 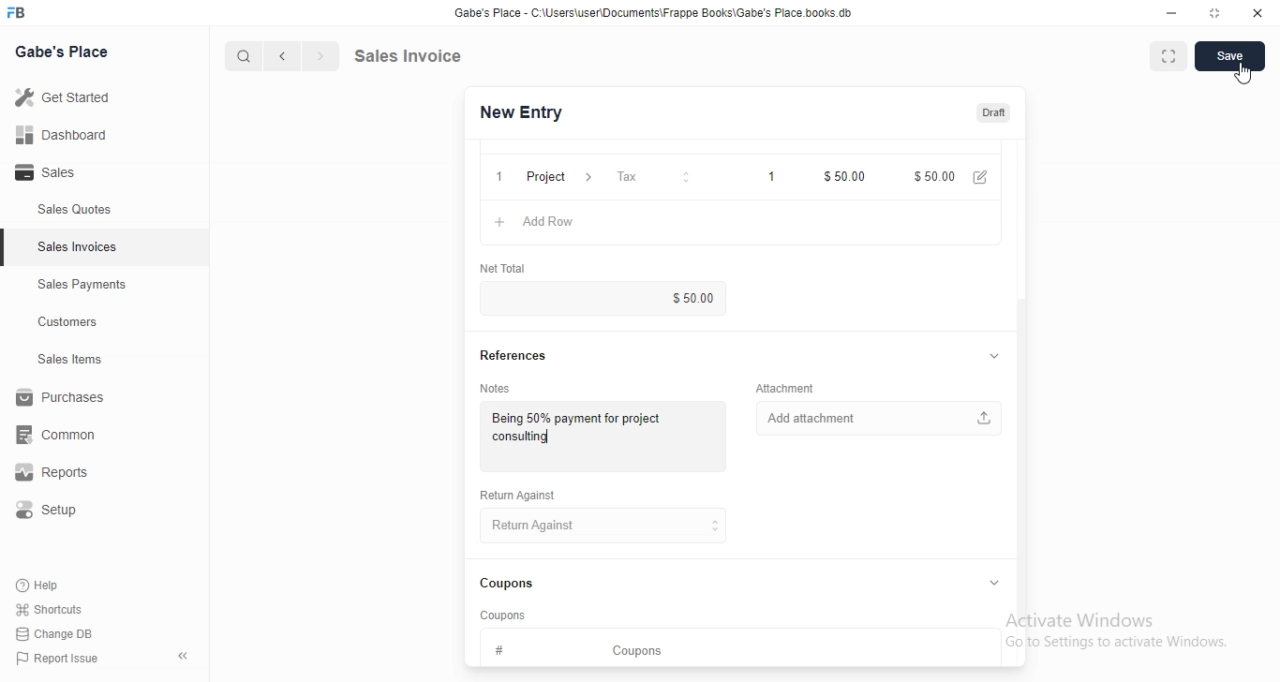 What do you see at coordinates (300, 56) in the screenshot?
I see `forward/backward` at bounding box center [300, 56].